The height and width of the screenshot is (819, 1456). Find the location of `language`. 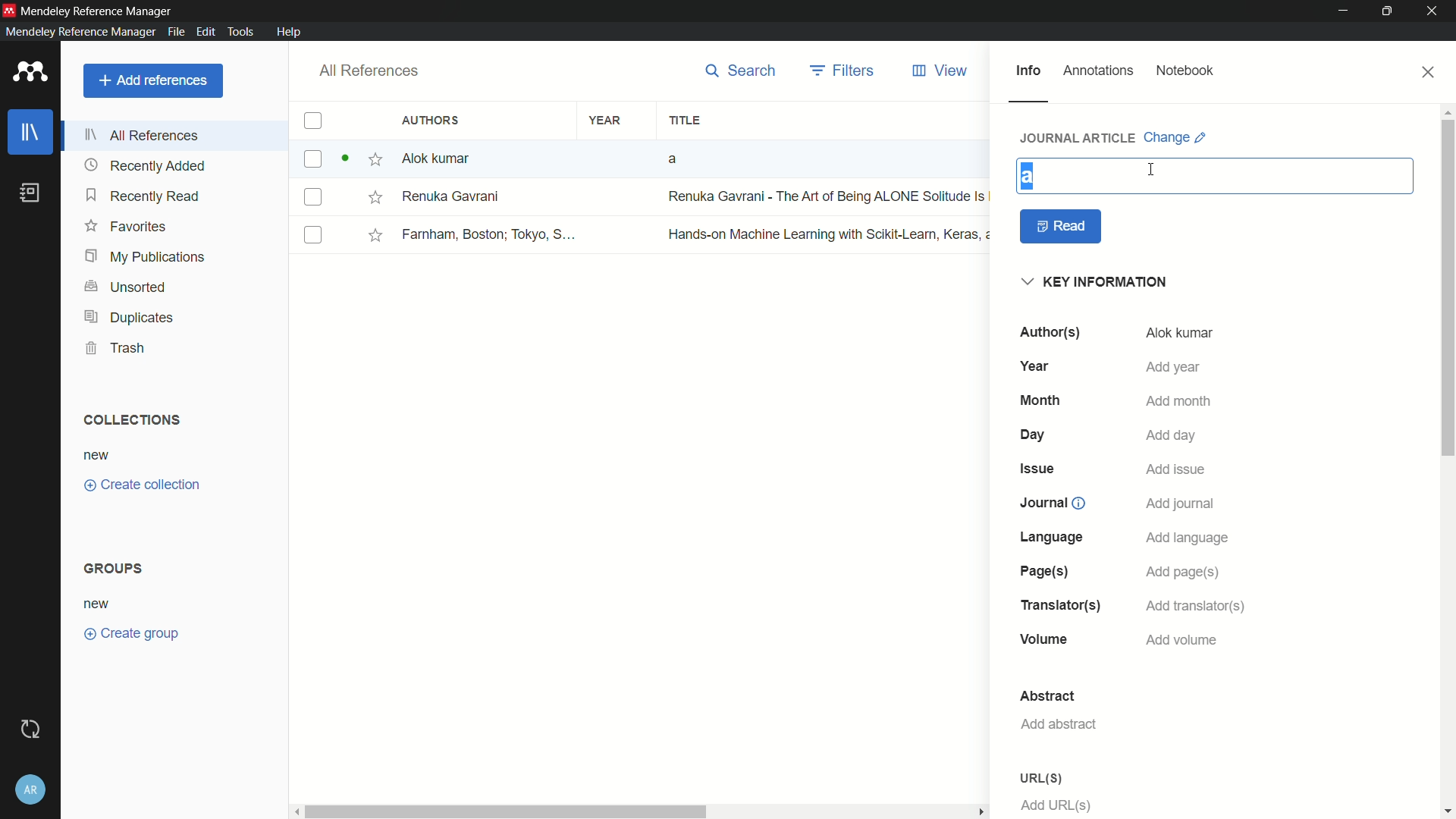

language is located at coordinates (1053, 537).